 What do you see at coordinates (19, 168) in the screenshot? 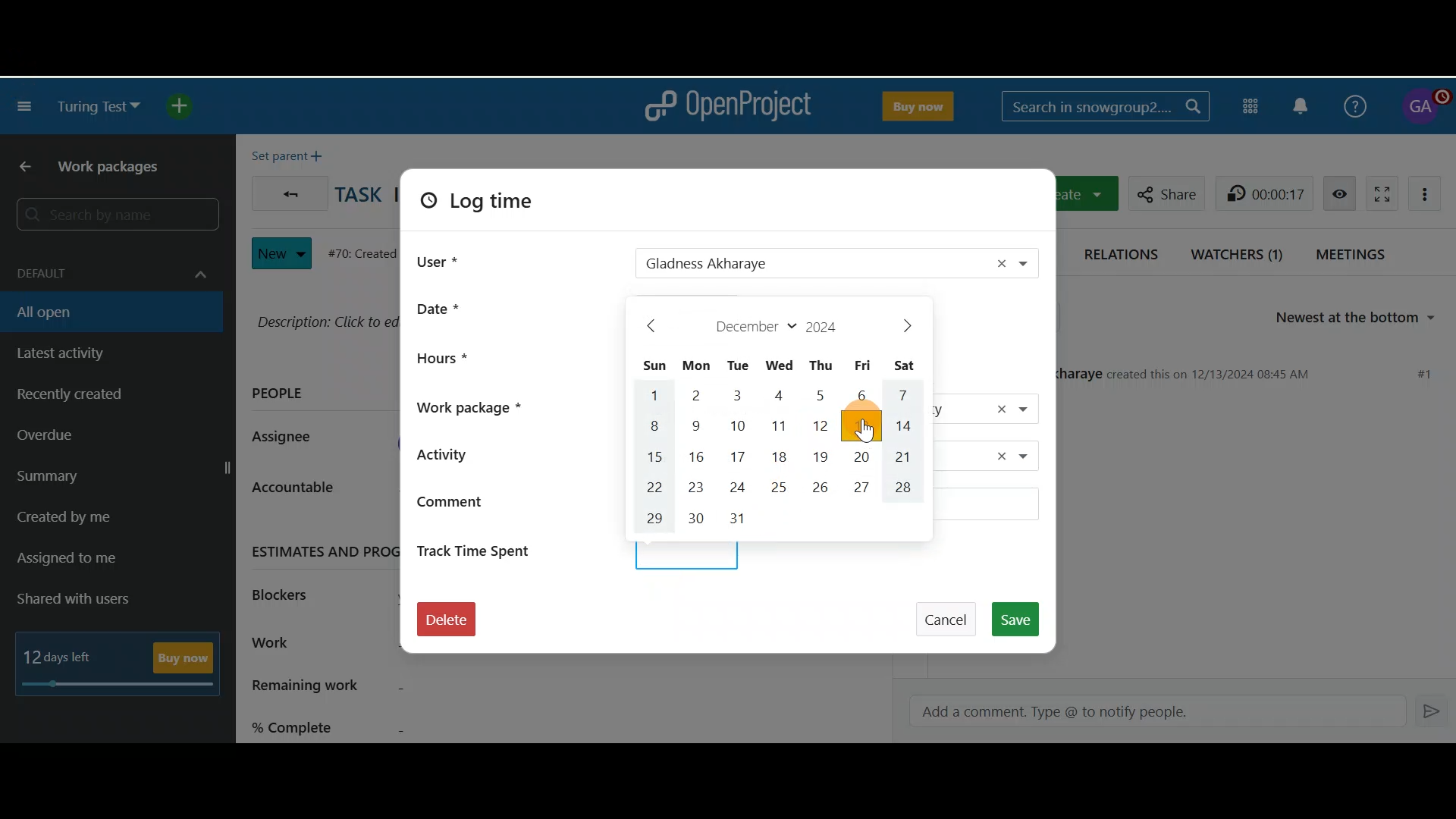
I see `Back` at bounding box center [19, 168].